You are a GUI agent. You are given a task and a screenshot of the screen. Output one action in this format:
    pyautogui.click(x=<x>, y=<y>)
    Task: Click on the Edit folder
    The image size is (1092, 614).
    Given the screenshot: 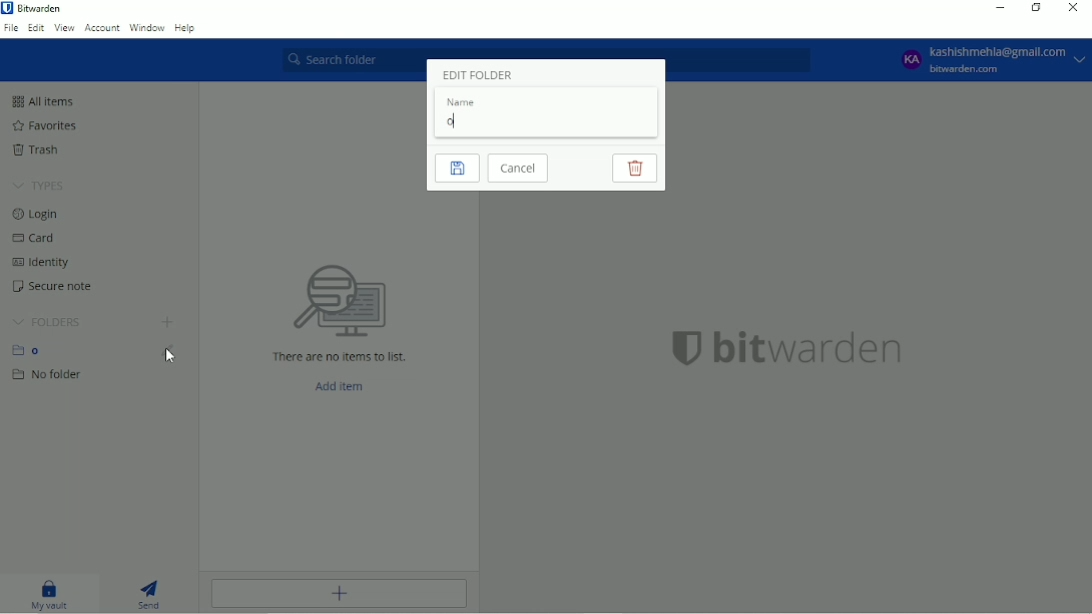 What is the action you would take?
    pyautogui.click(x=172, y=355)
    